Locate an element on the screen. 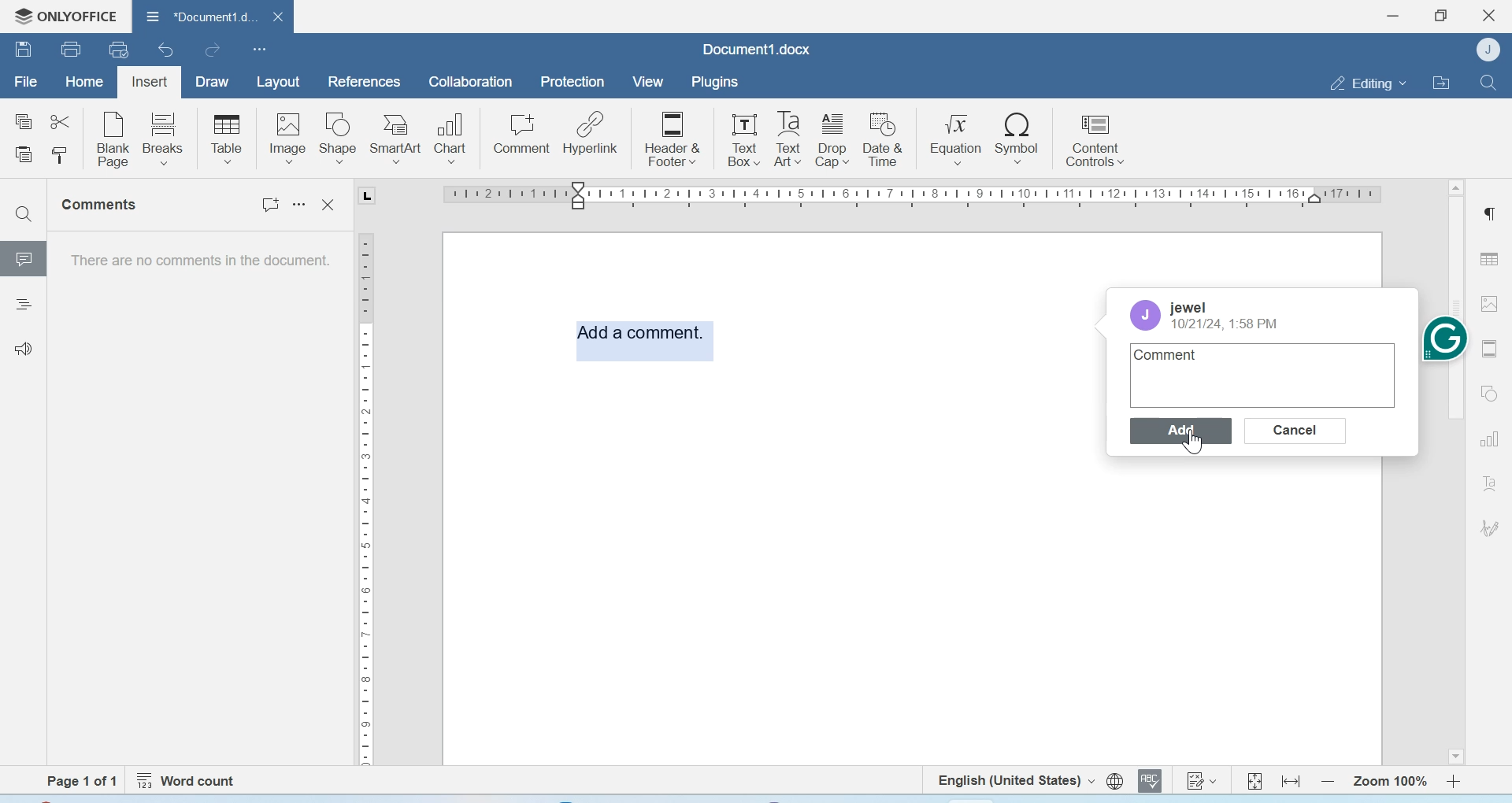 Image resolution: width=1512 pixels, height=803 pixels. Chart is located at coordinates (452, 136).